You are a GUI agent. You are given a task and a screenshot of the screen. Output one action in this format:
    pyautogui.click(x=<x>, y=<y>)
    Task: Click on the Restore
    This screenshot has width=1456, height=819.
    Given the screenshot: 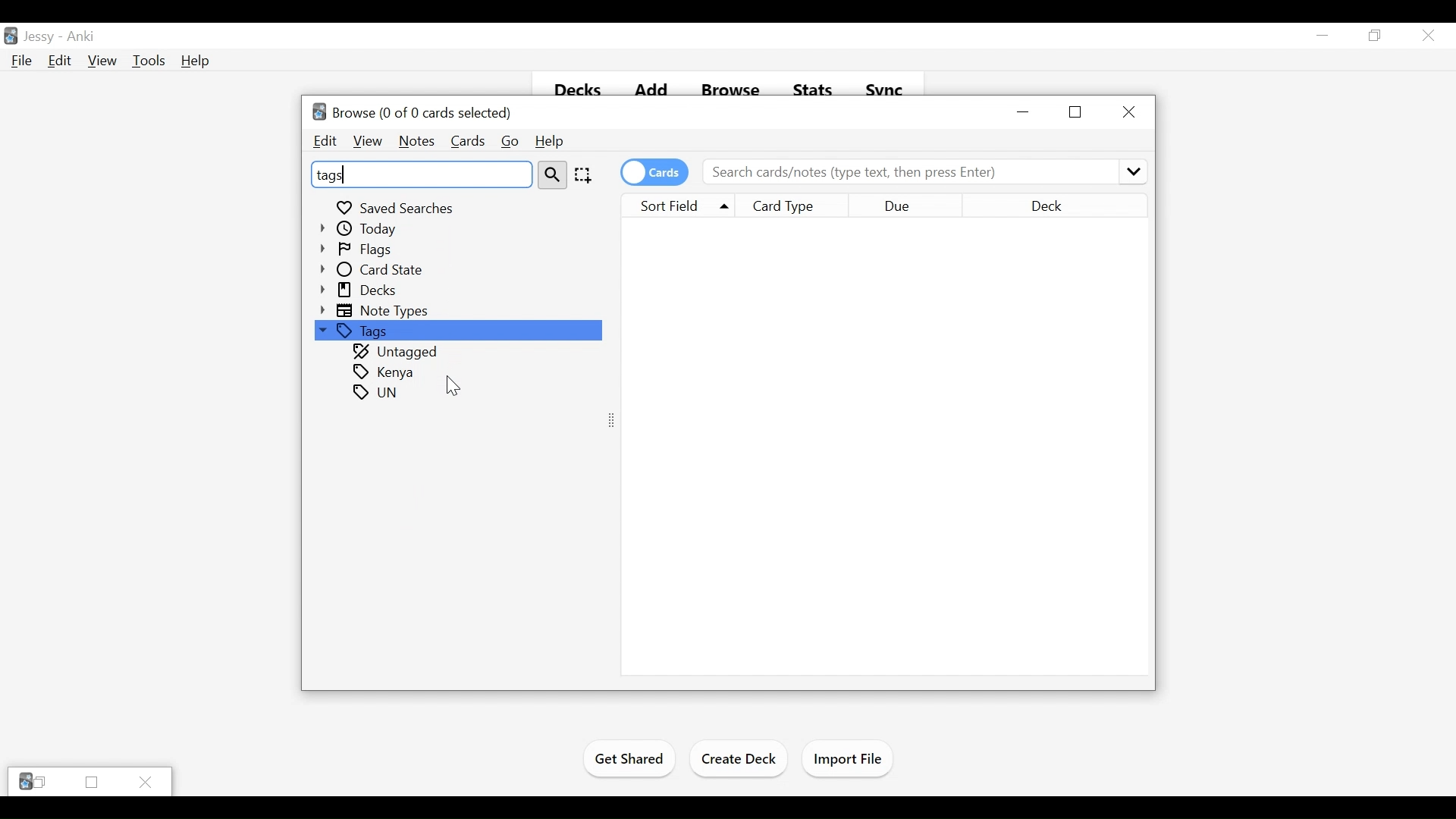 What is the action you would take?
    pyautogui.click(x=90, y=783)
    